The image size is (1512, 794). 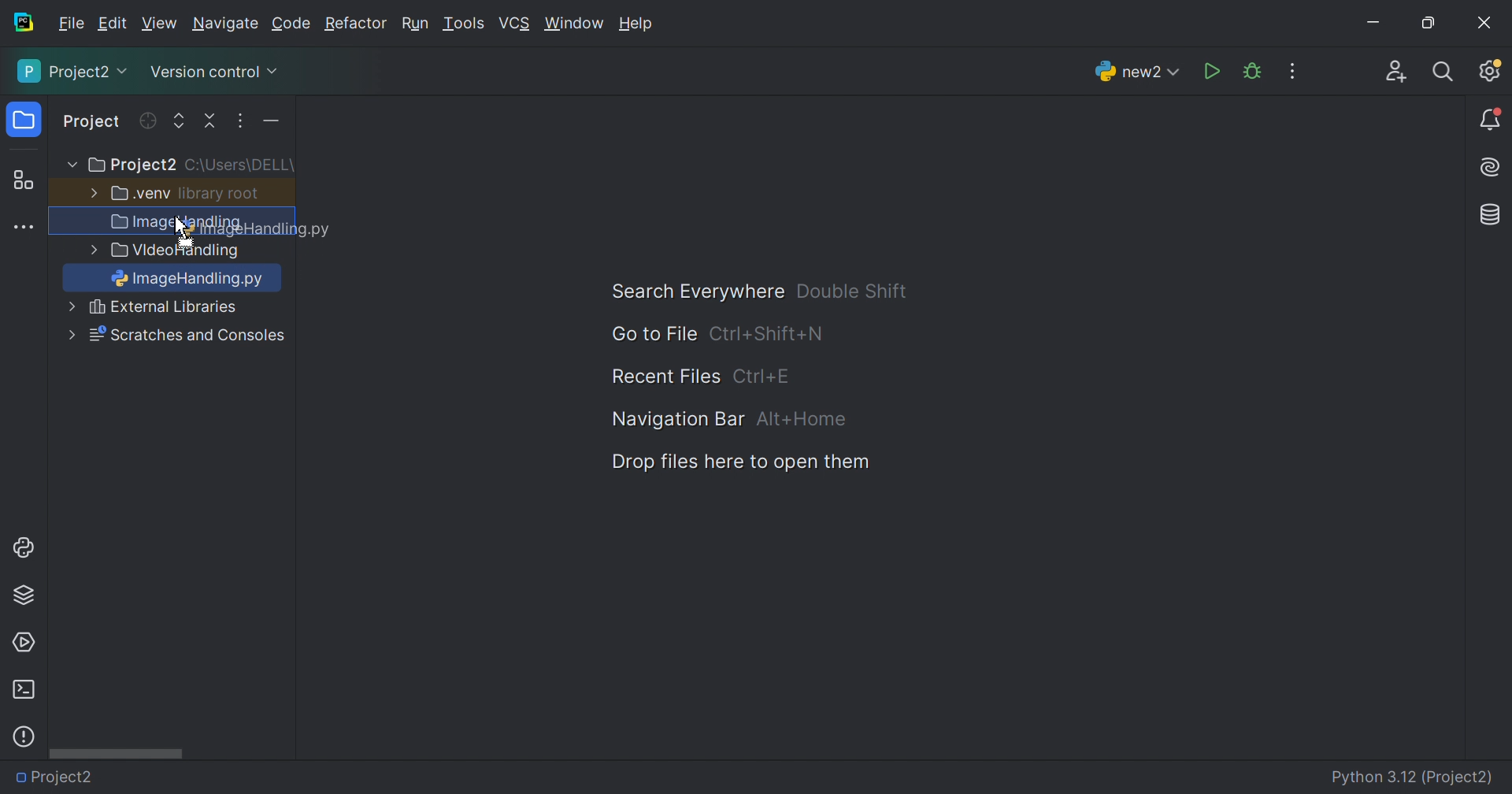 I want to click on Structure, so click(x=23, y=181).